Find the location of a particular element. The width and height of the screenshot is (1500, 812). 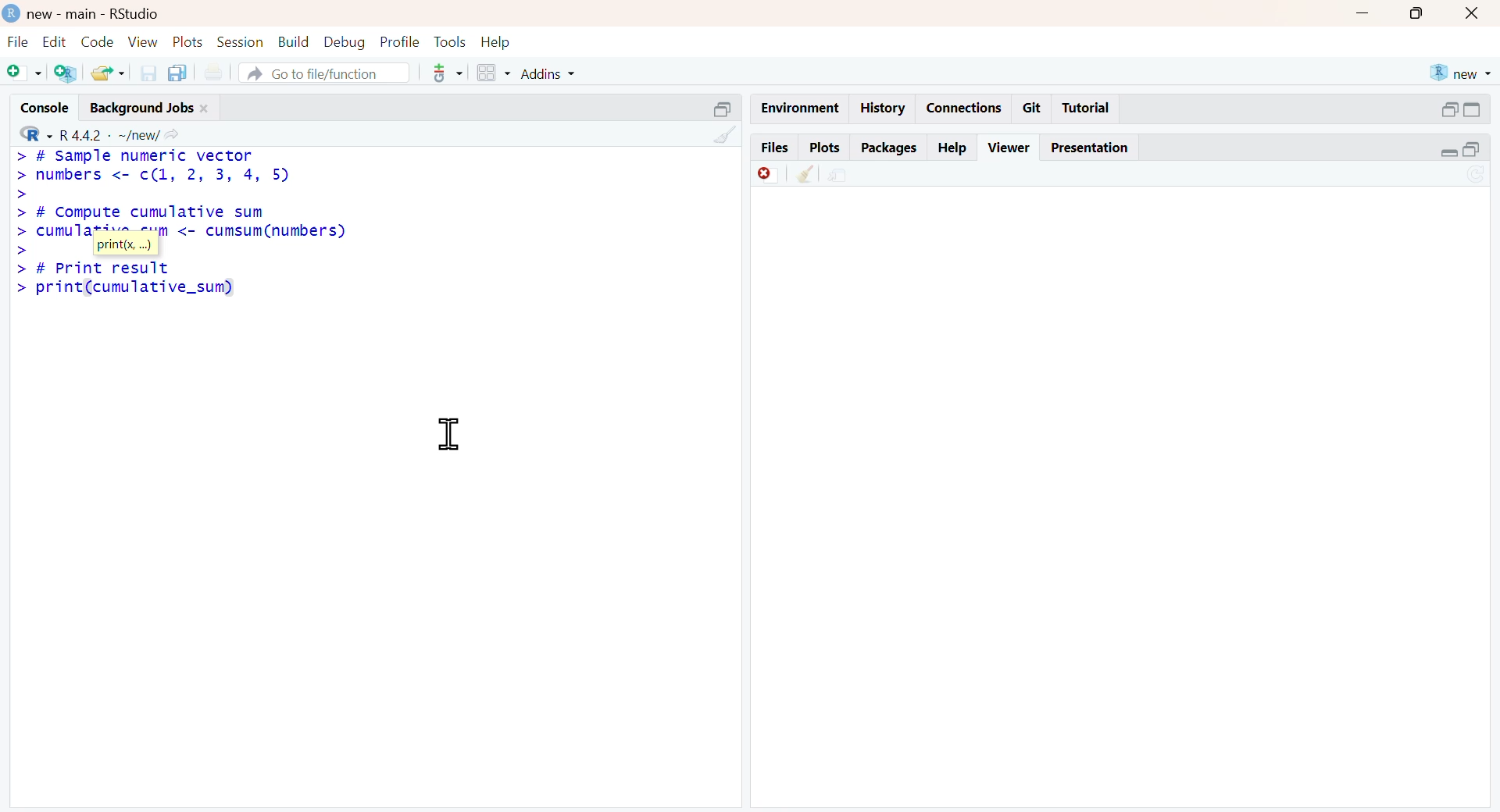

addins is located at coordinates (548, 73).